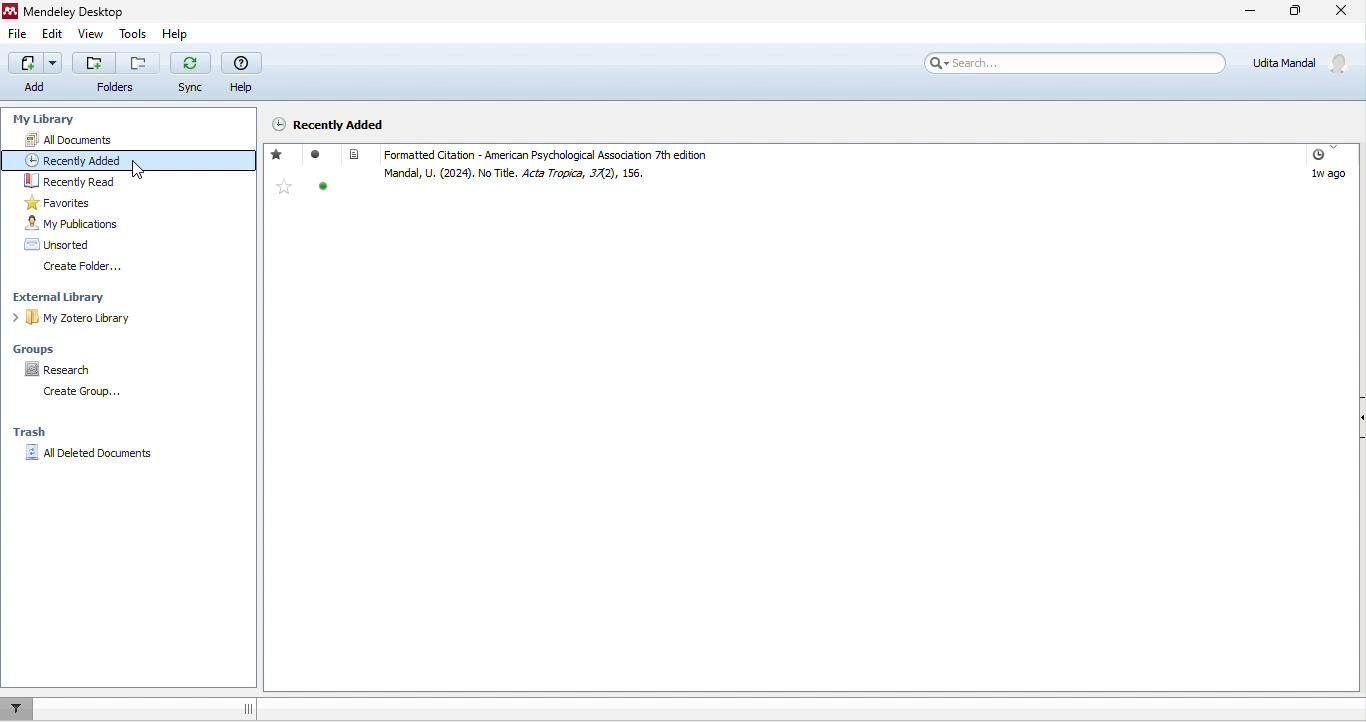 This screenshot has width=1366, height=722. Describe the element at coordinates (1303, 62) in the screenshot. I see `account` at that location.